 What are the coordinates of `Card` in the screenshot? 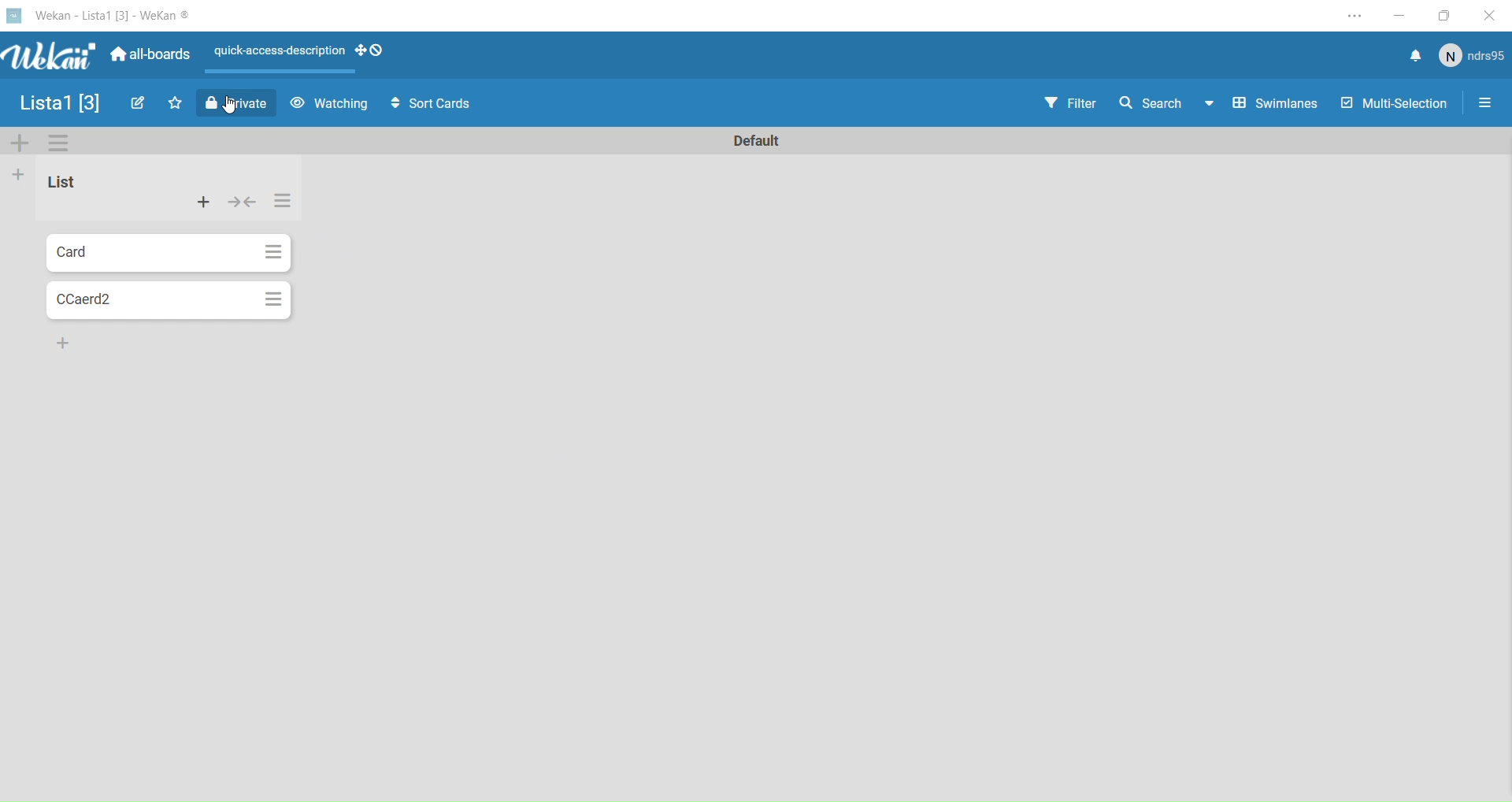 It's located at (144, 252).